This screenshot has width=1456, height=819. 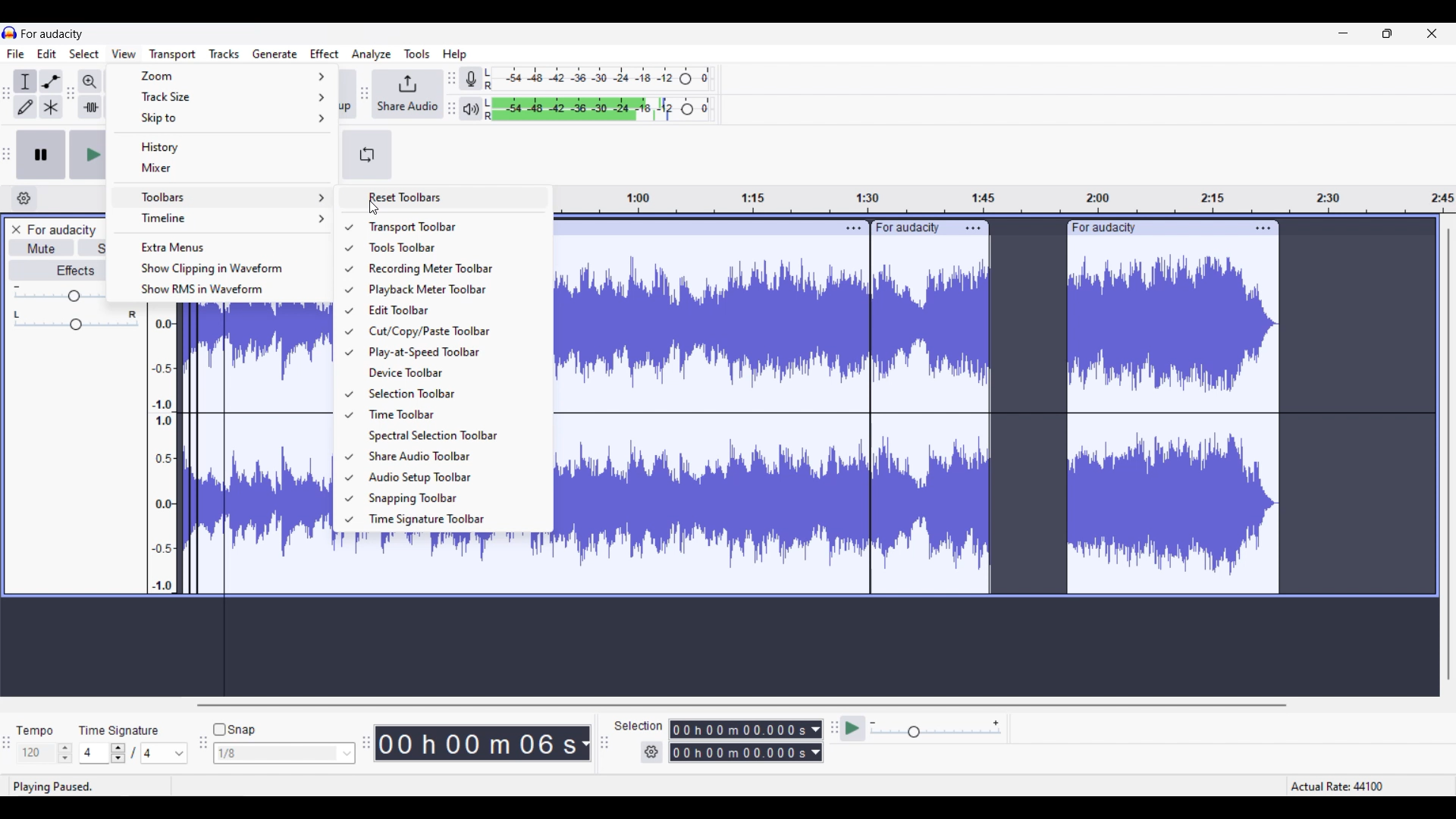 What do you see at coordinates (451, 227) in the screenshot?
I see `Transport toolbar` at bounding box center [451, 227].